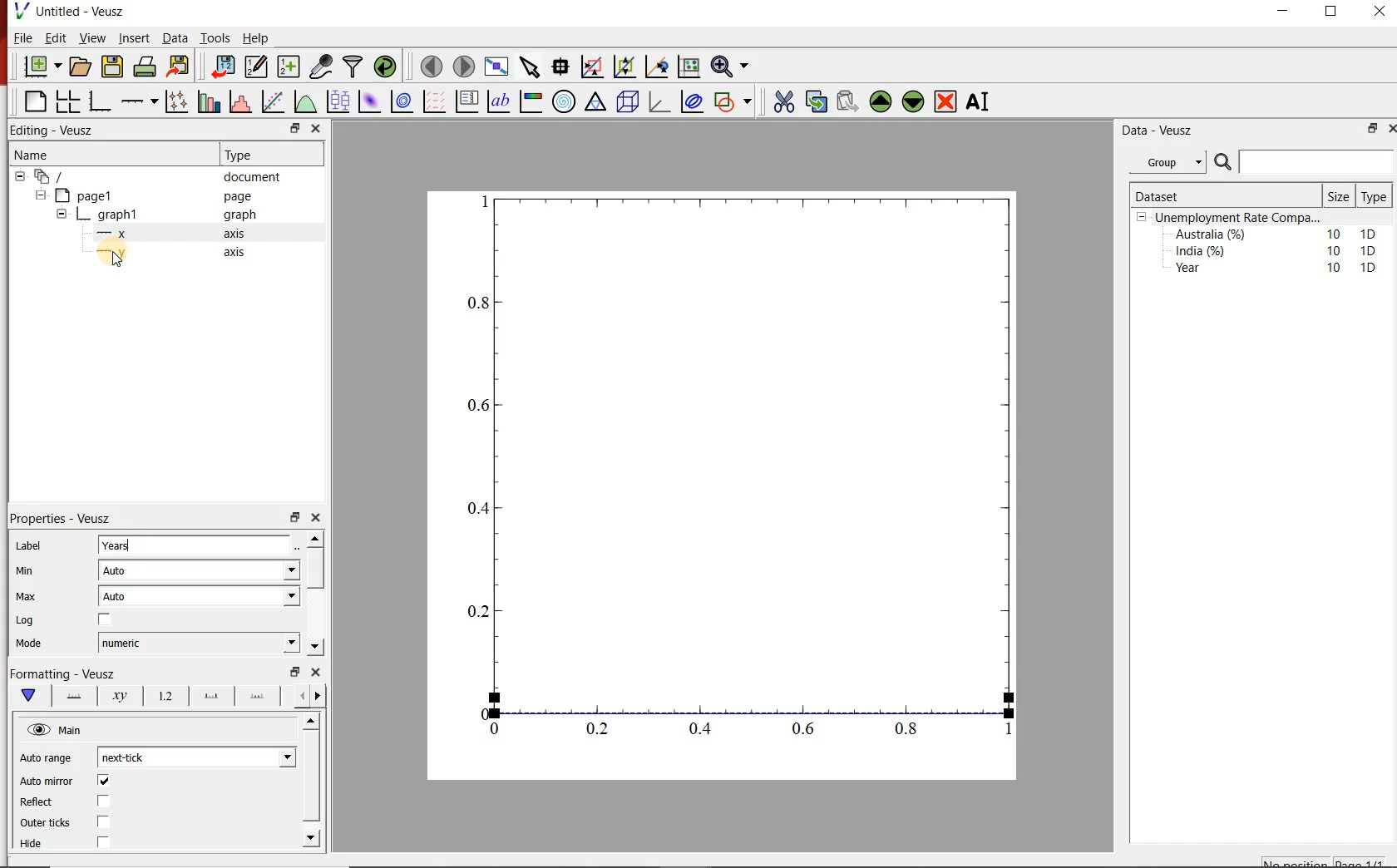 Image resolution: width=1397 pixels, height=868 pixels. I want to click on caputure remote data, so click(323, 66).